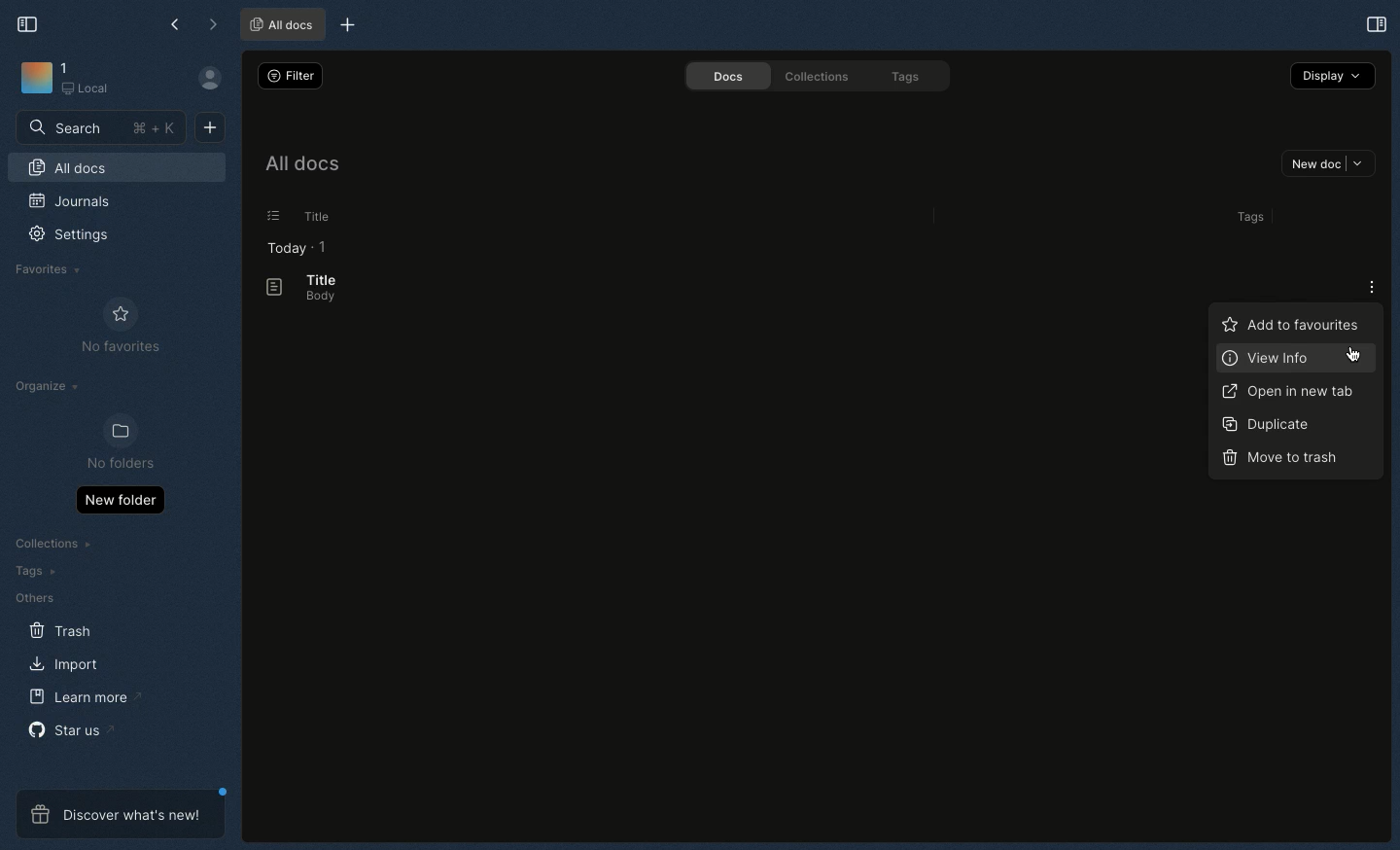 The width and height of the screenshot is (1400, 850). I want to click on Document, so click(265, 288).